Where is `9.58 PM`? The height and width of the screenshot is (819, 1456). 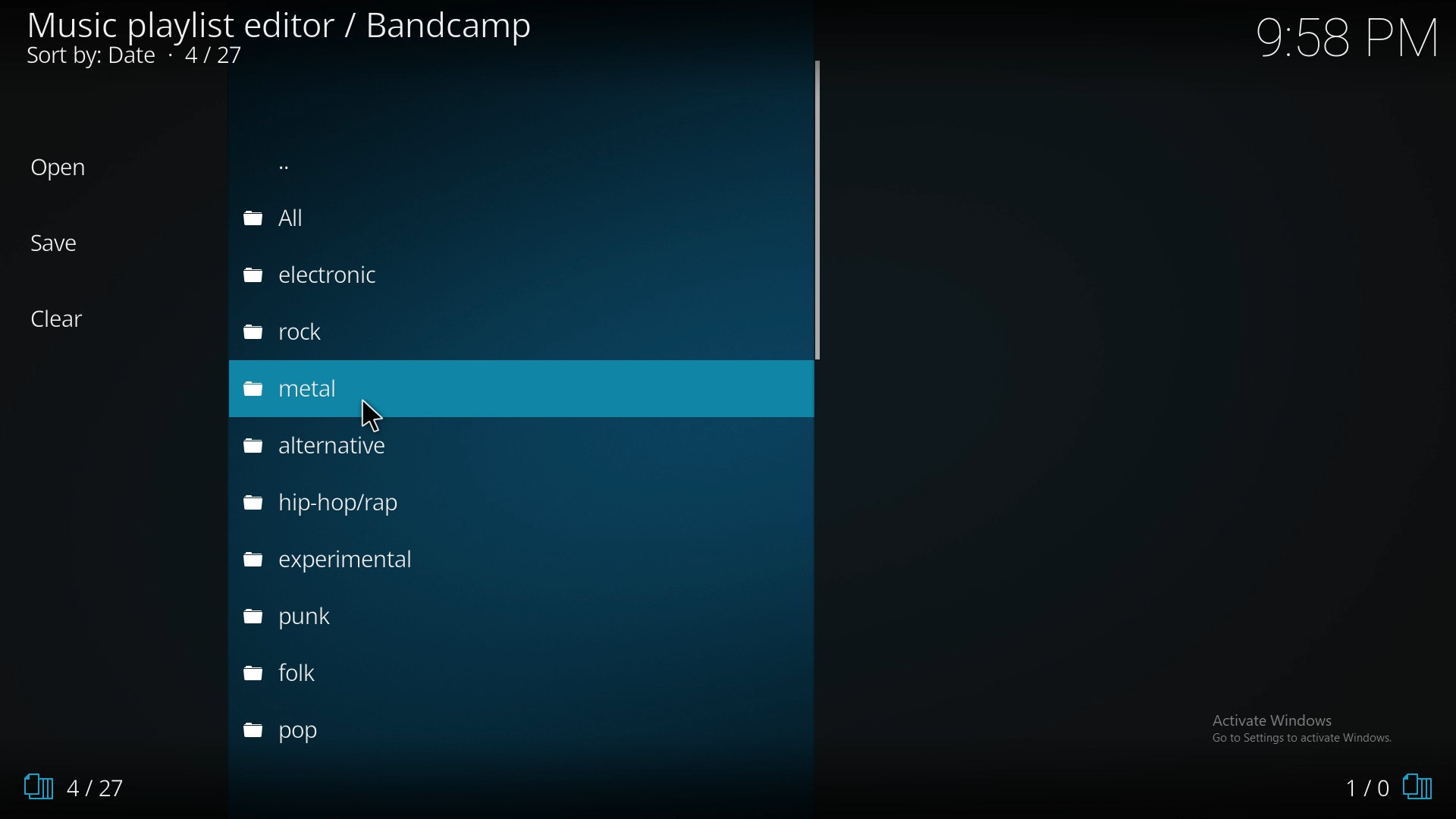 9.58 PM is located at coordinates (1346, 37).